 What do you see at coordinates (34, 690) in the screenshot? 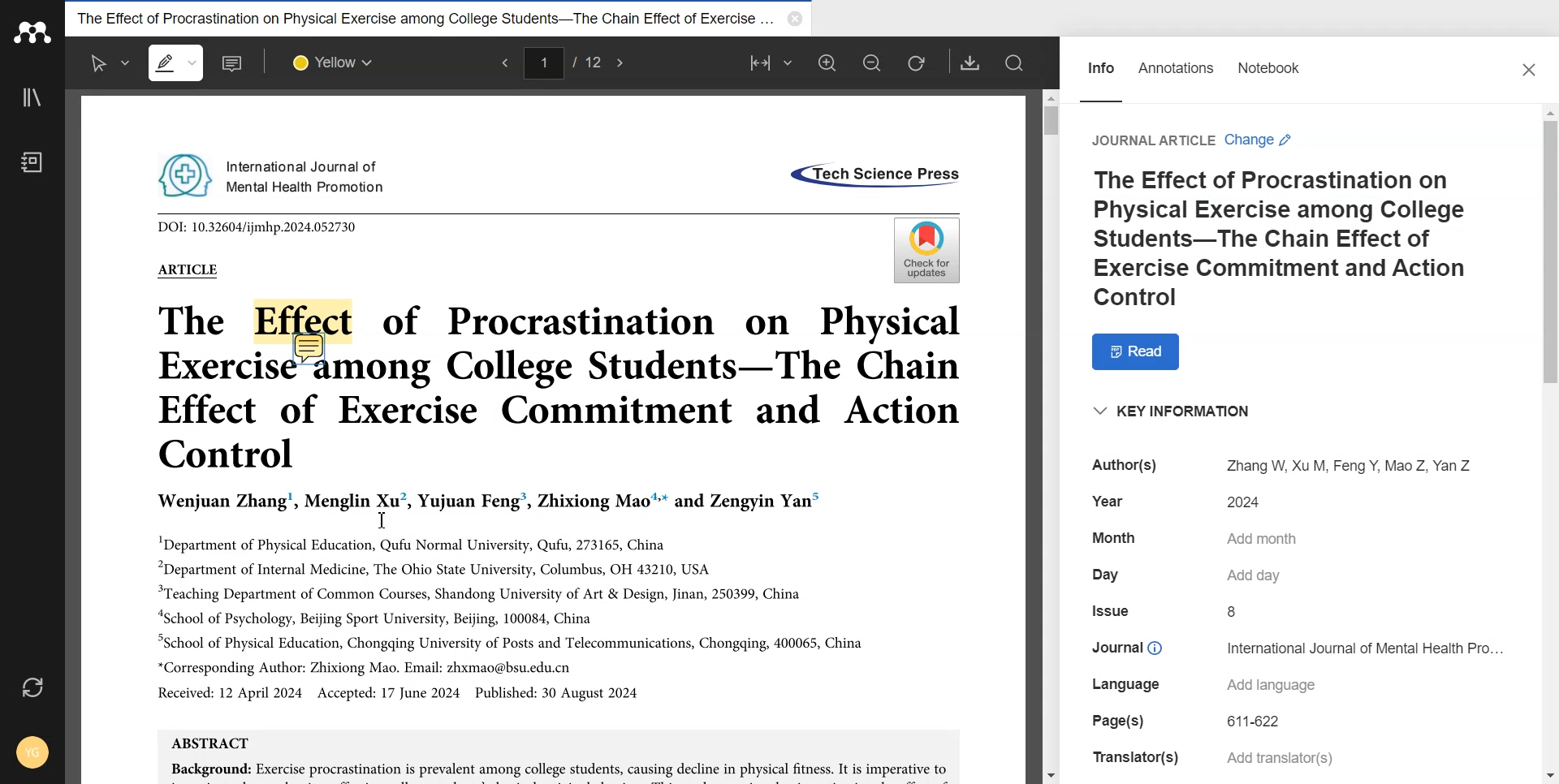
I see `Auto sync` at bounding box center [34, 690].